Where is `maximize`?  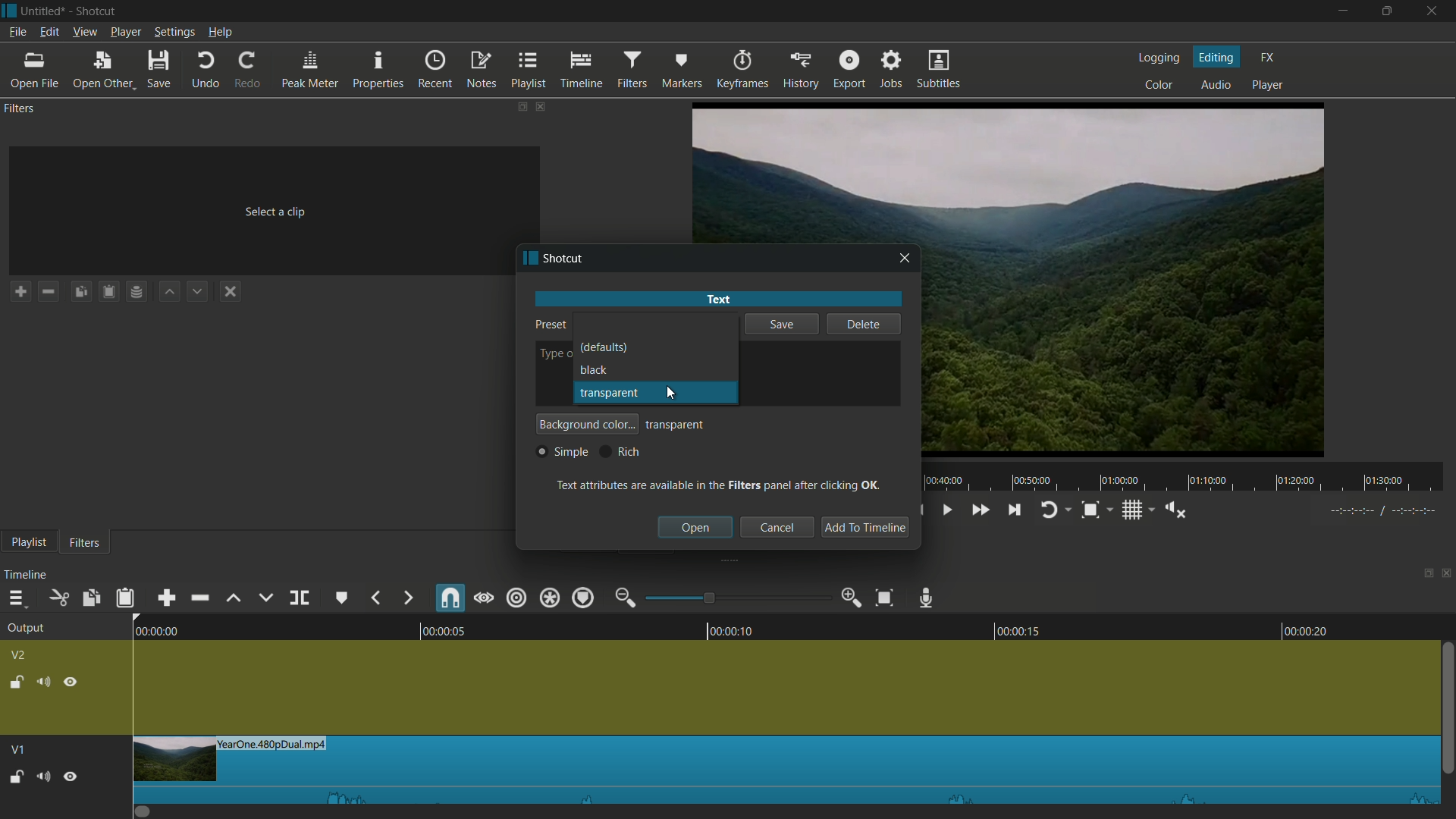
maximize is located at coordinates (1387, 11).